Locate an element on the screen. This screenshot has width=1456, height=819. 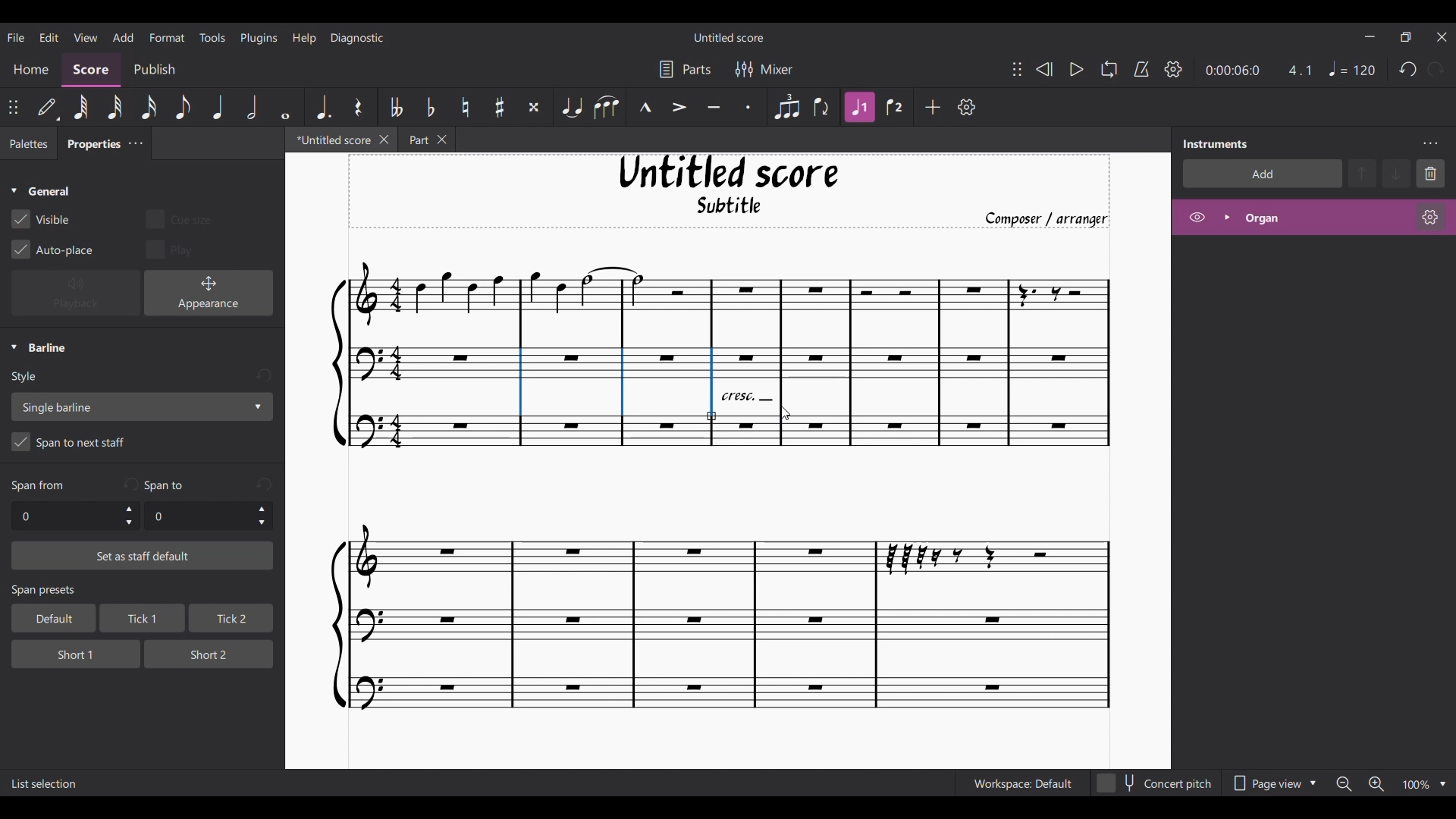
Playback is located at coordinates (76, 293).